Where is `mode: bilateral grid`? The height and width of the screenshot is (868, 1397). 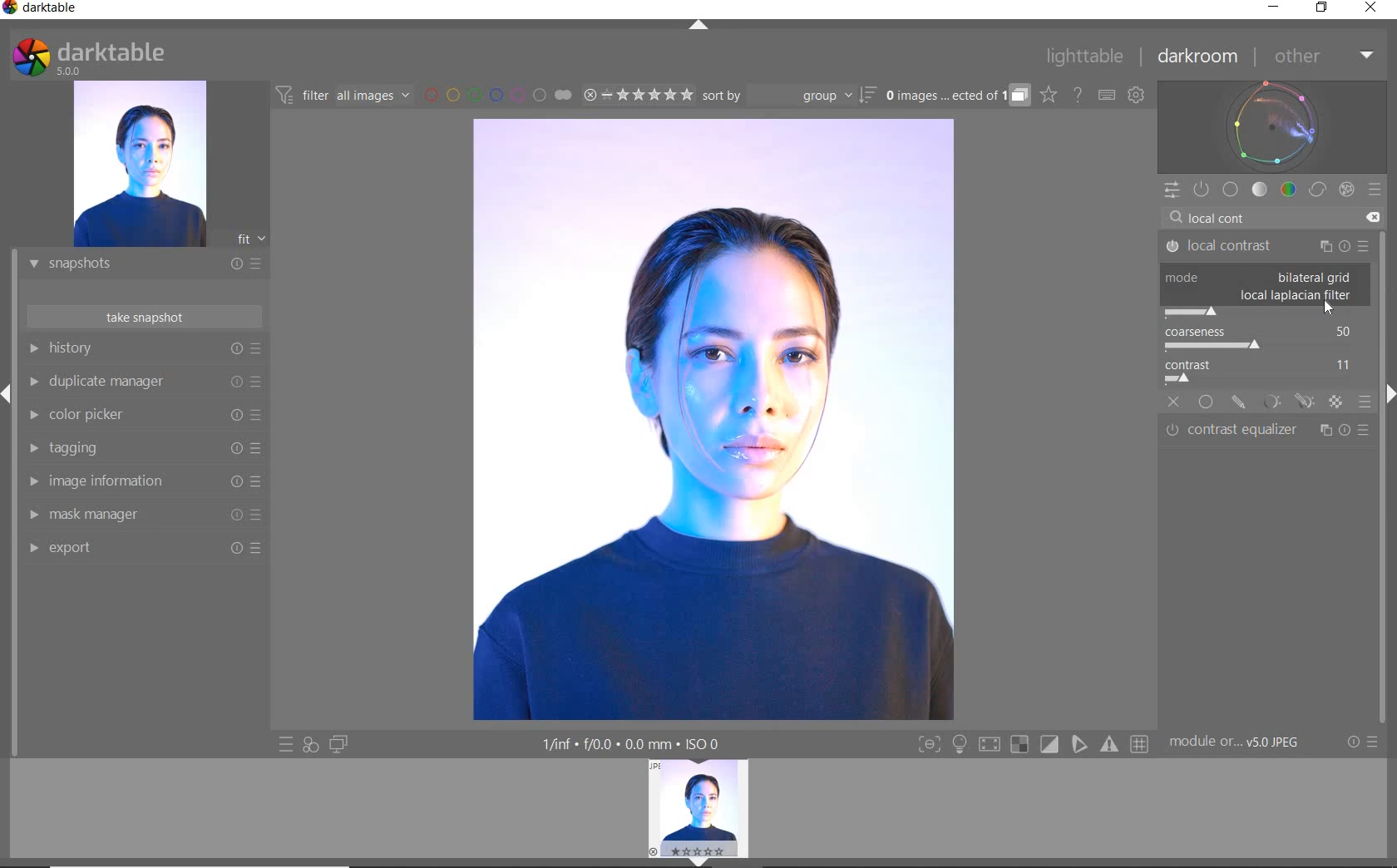 mode: bilateral grid is located at coordinates (1258, 277).